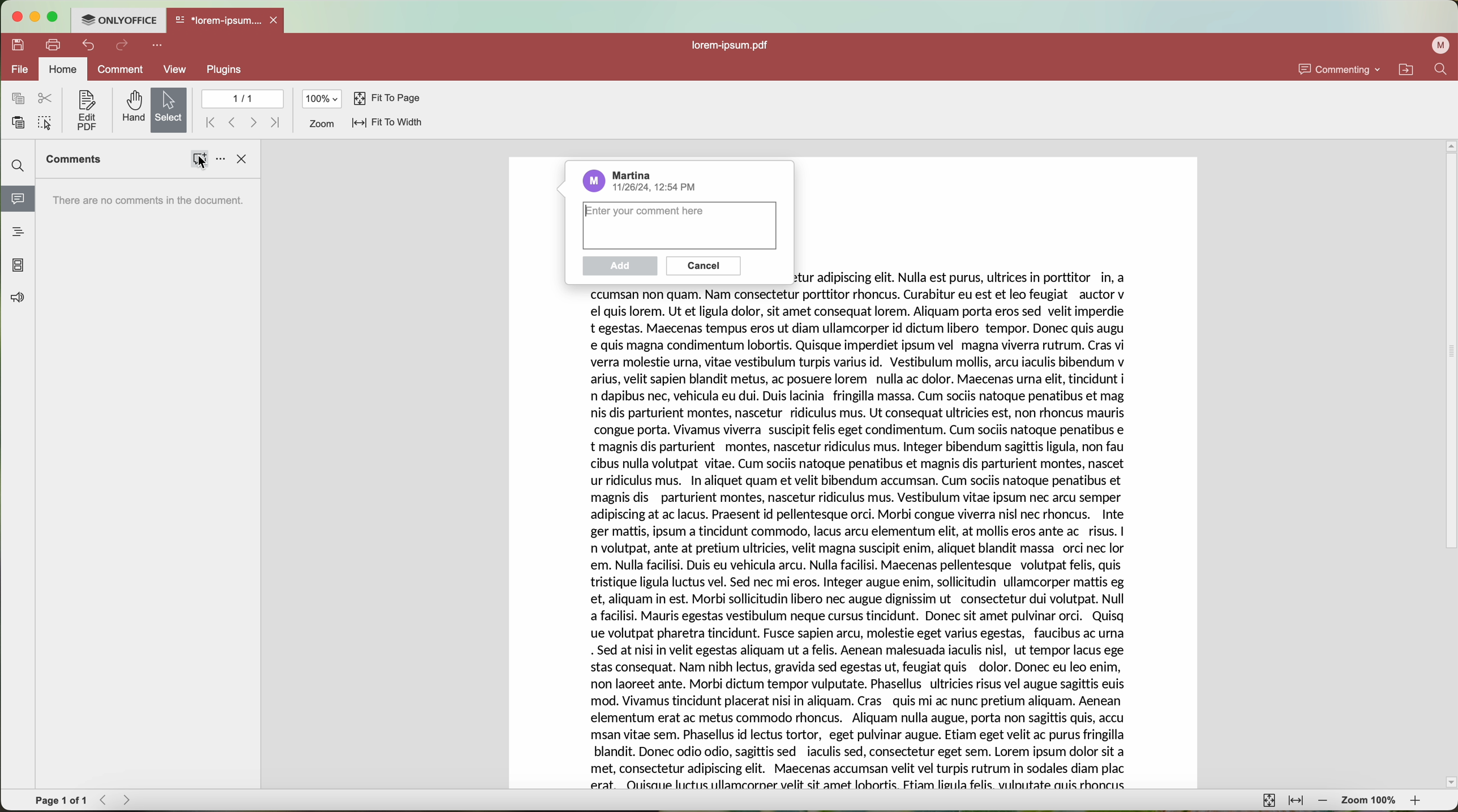  Describe the element at coordinates (19, 231) in the screenshot. I see `heading` at that location.